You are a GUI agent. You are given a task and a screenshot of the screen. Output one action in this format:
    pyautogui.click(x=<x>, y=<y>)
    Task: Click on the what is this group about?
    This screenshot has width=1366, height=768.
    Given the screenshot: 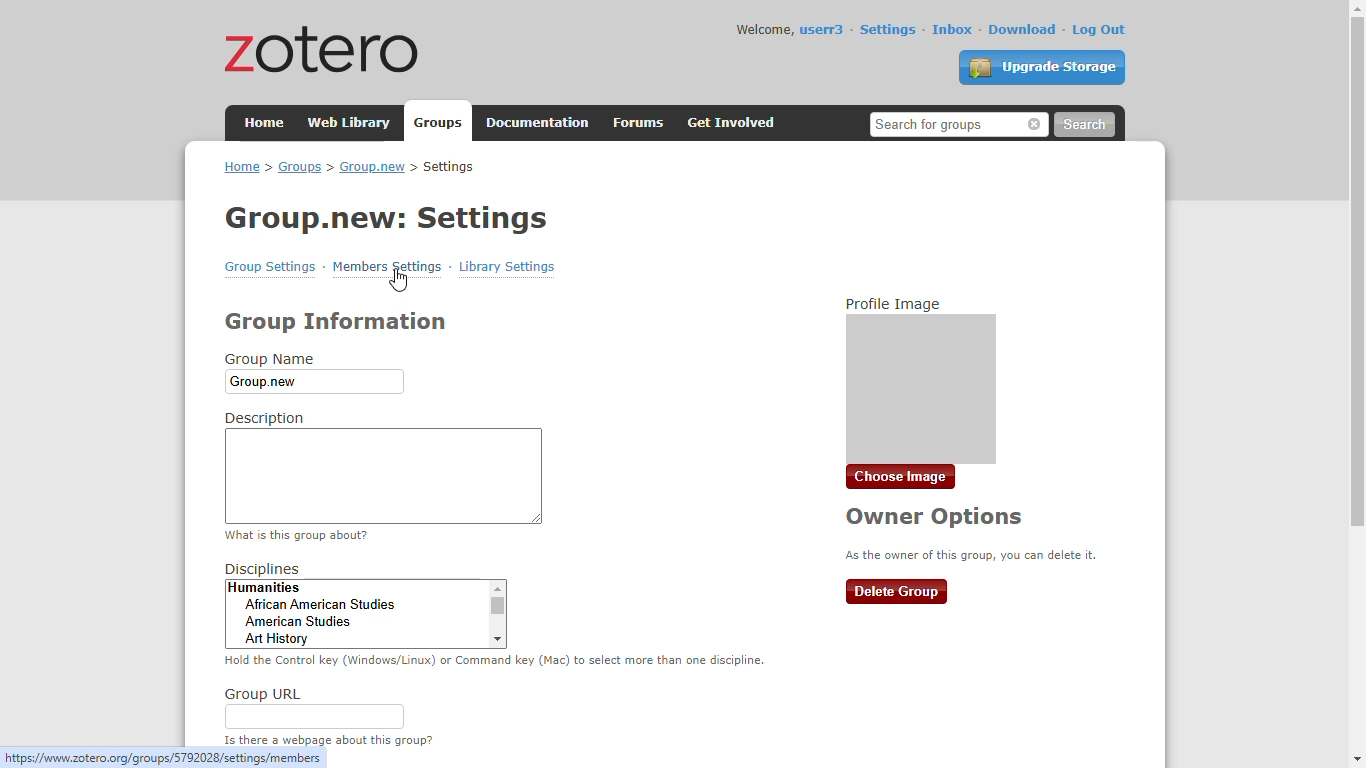 What is the action you would take?
    pyautogui.click(x=297, y=535)
    